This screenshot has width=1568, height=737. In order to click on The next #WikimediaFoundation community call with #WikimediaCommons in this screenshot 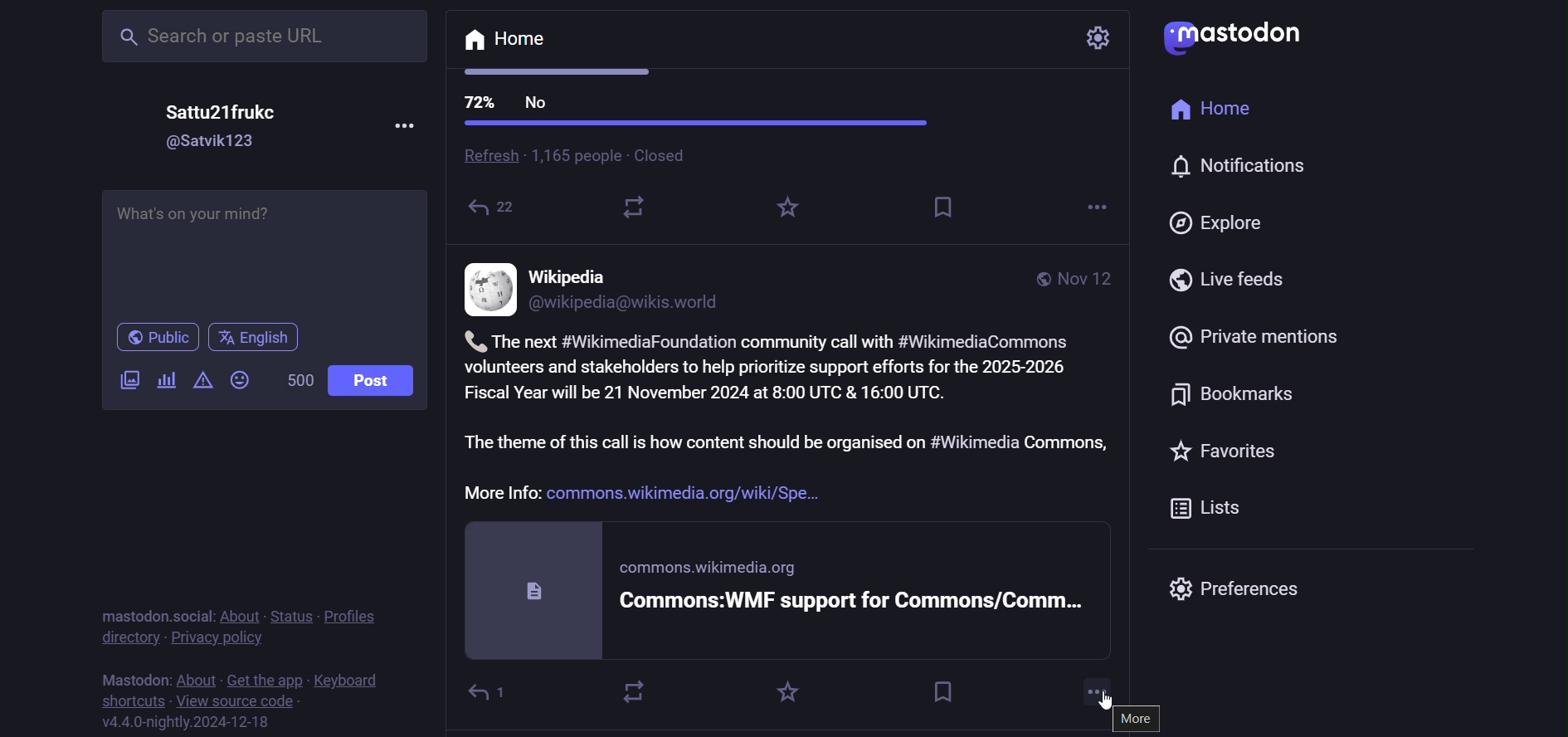, I will do `click(787, 339)`.